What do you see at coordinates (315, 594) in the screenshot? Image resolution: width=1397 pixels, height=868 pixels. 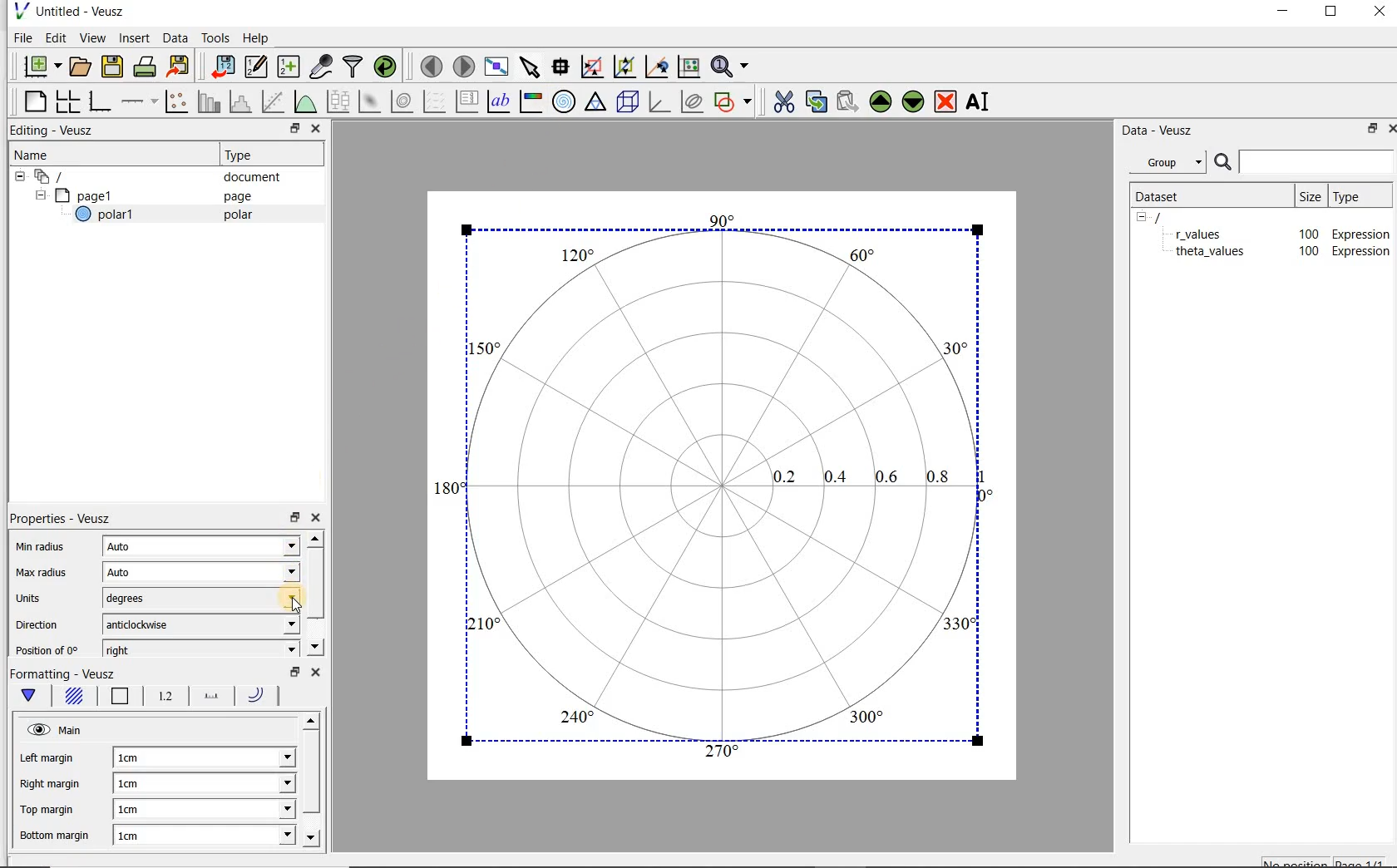 I see `scroll bar` at bounding box center [315, 594].